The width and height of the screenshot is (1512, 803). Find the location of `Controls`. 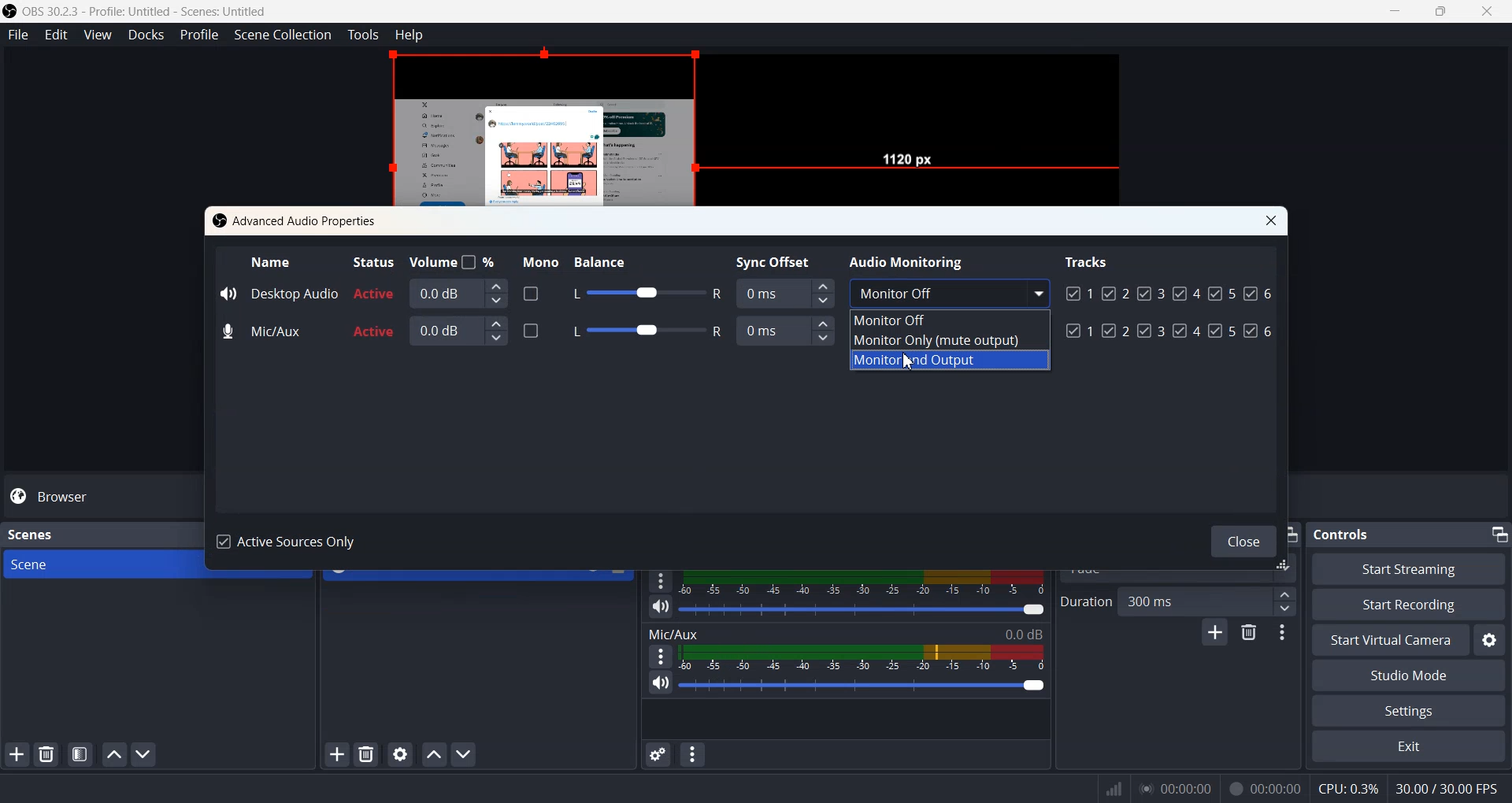

Controls is located at coordinates (1347, 533).